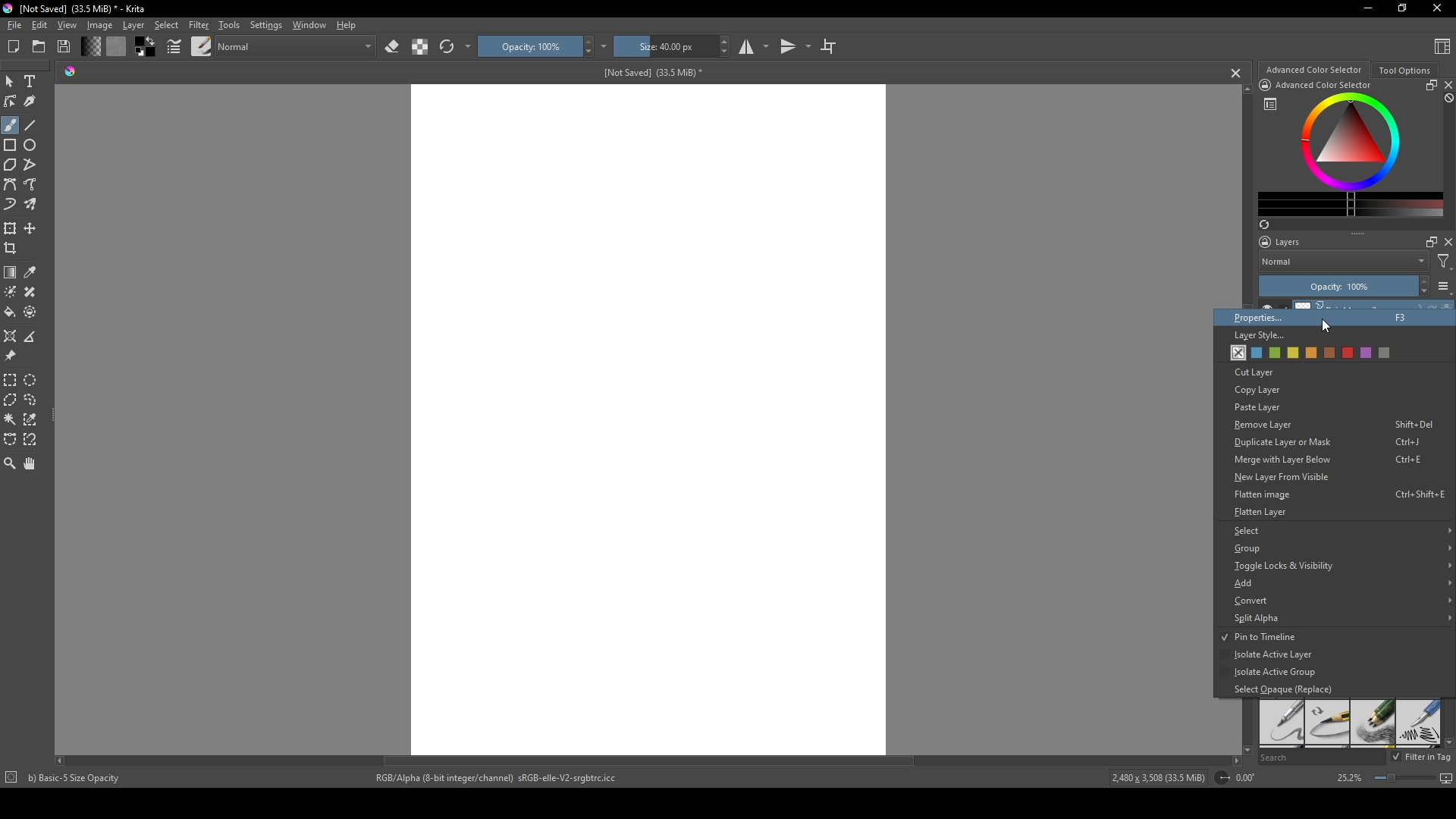 The height and width of the screenshot is (819, 1456). I want to click on Properties..., so click(1323, 316).